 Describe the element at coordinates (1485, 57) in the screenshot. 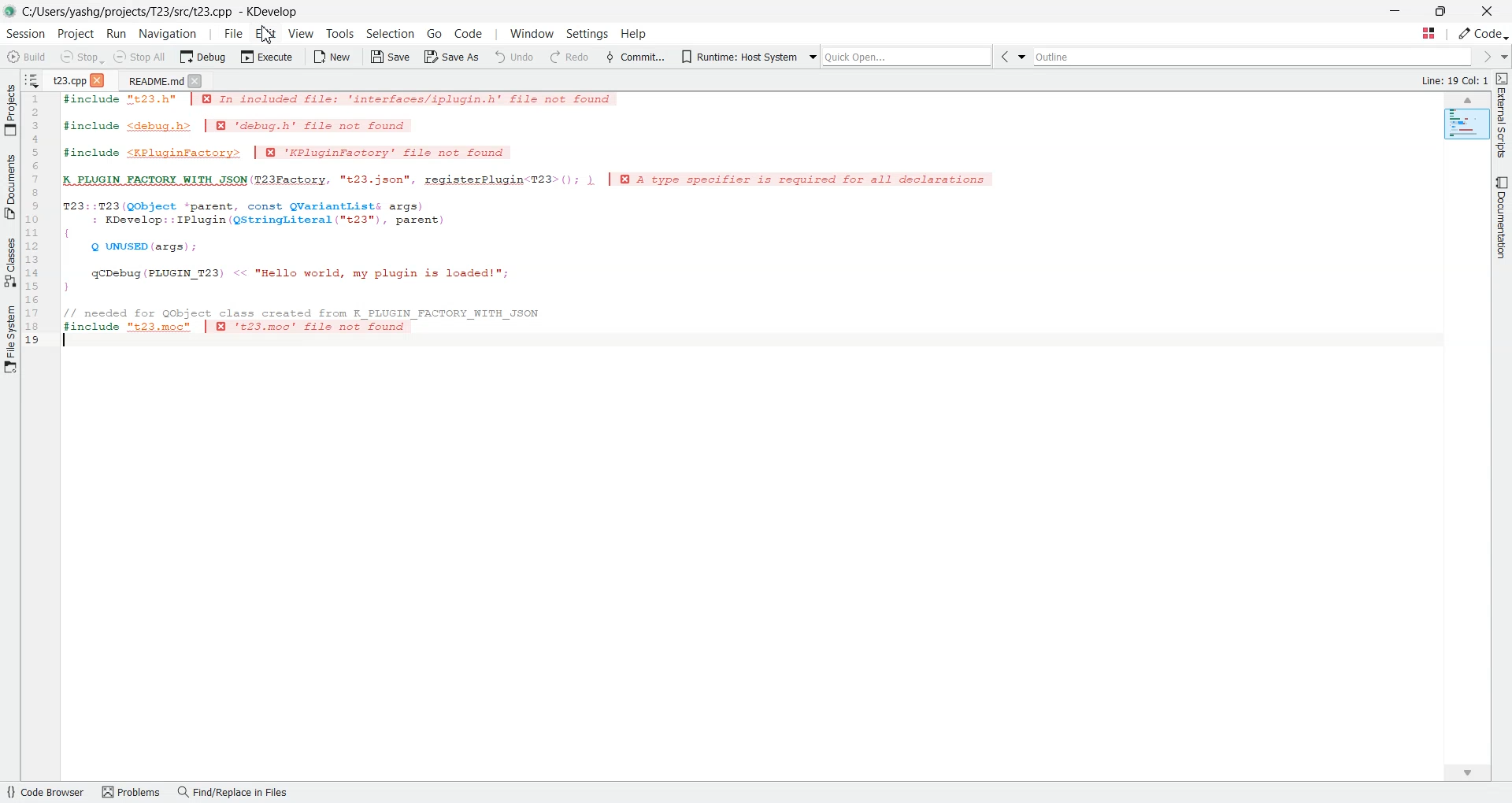

I see `Go forward` at that location.